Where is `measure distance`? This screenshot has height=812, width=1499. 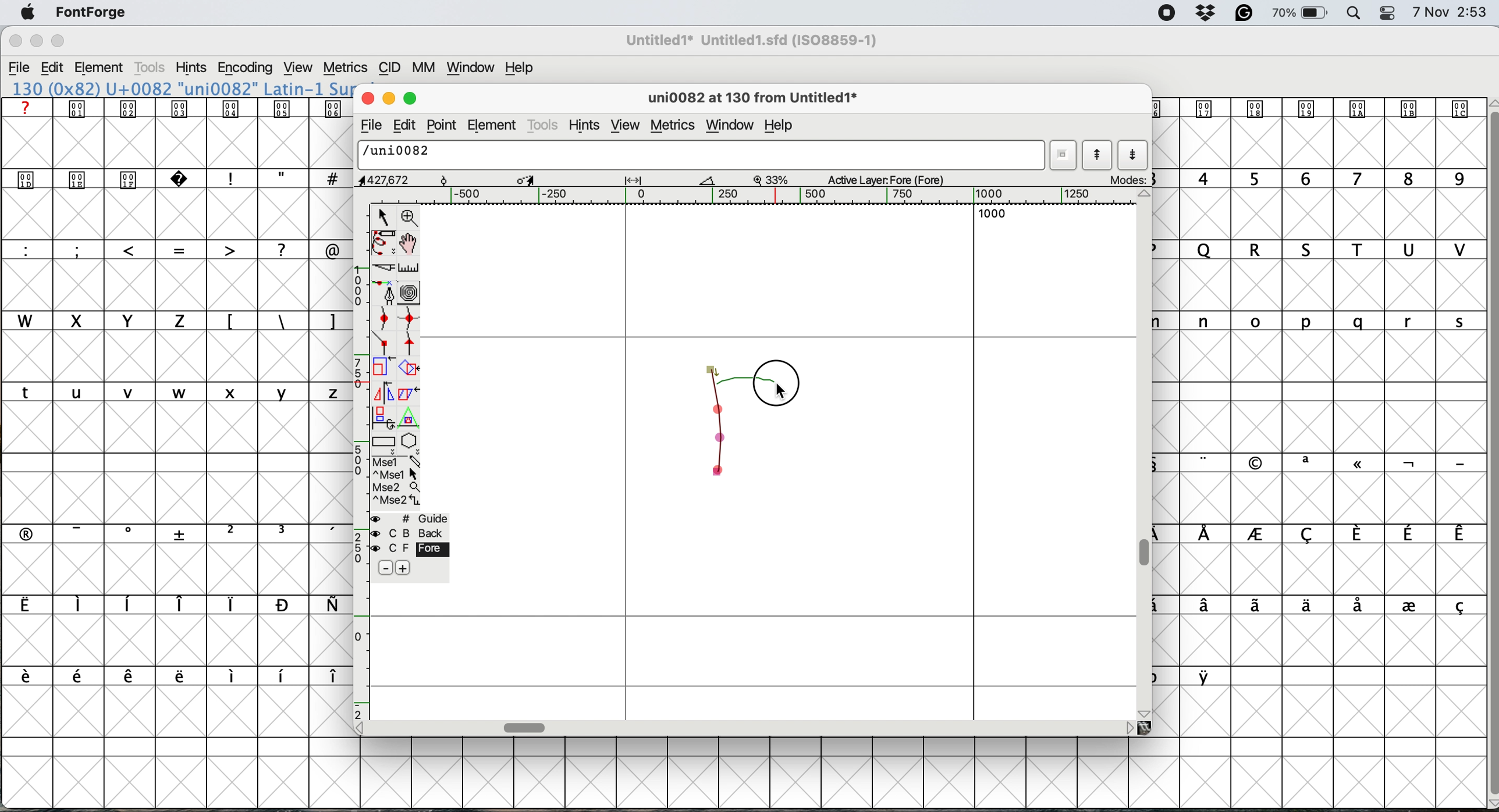 measure distance is located at coordinates (409, 267).